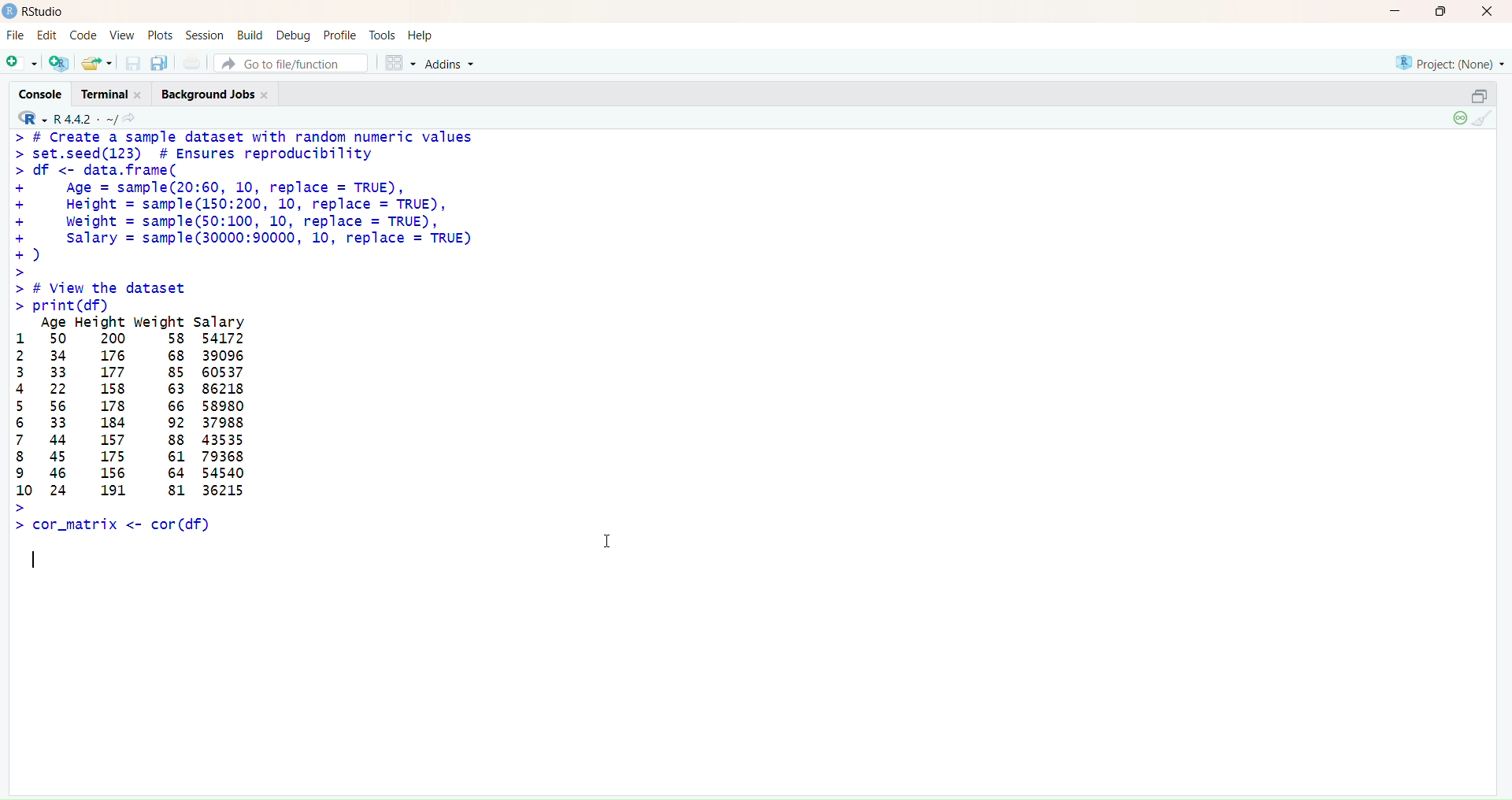 This screenshot has width=1512, height=800. What do you see at coordinates (39, 559) in the screenshot?
I see `Input text` at bounding box center [39, 559].